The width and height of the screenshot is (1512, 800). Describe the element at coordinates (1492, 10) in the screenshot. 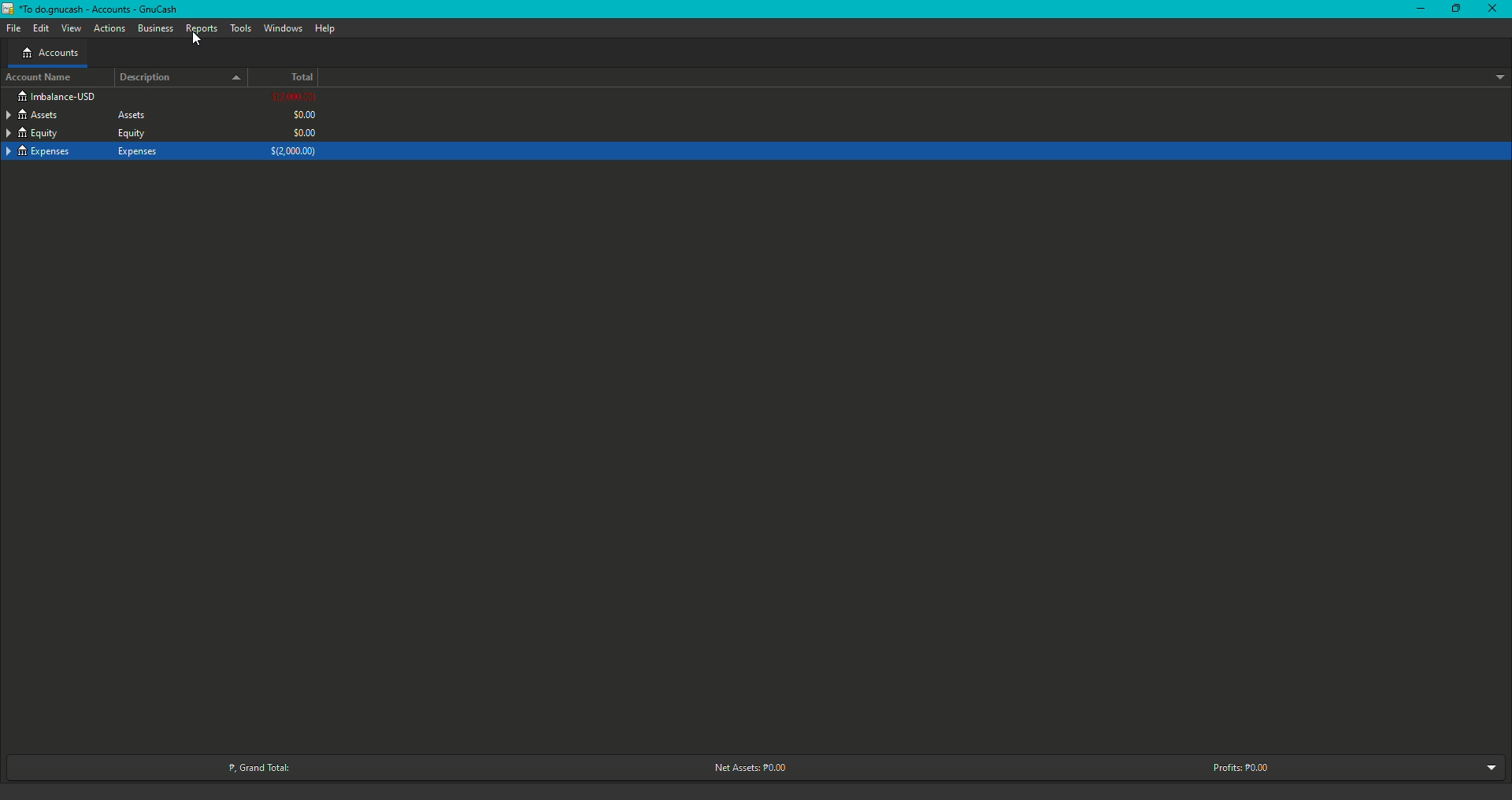

I see `Close` at that location.